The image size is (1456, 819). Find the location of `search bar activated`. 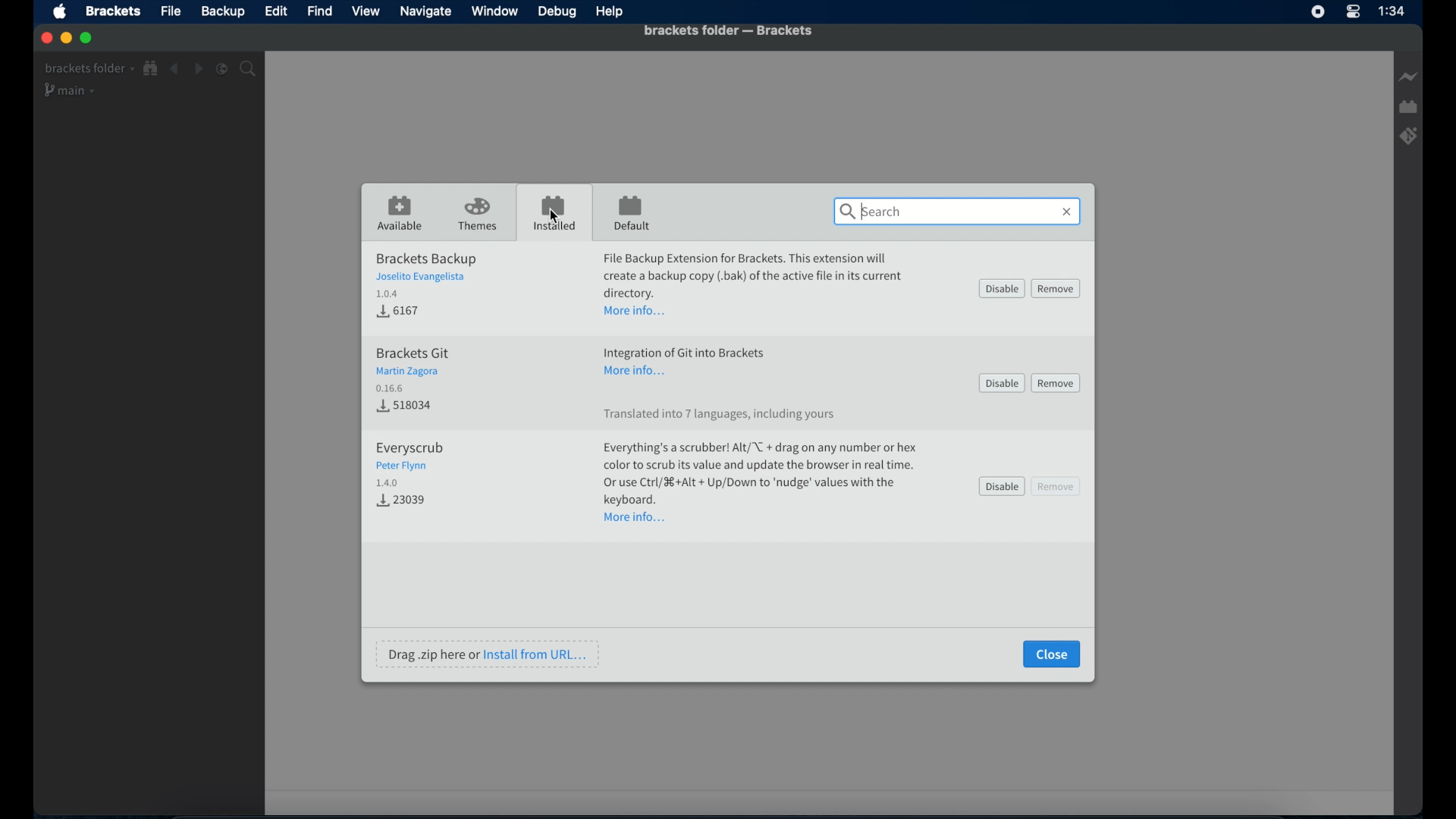

search bar activated is located at coordinates (958, 212).